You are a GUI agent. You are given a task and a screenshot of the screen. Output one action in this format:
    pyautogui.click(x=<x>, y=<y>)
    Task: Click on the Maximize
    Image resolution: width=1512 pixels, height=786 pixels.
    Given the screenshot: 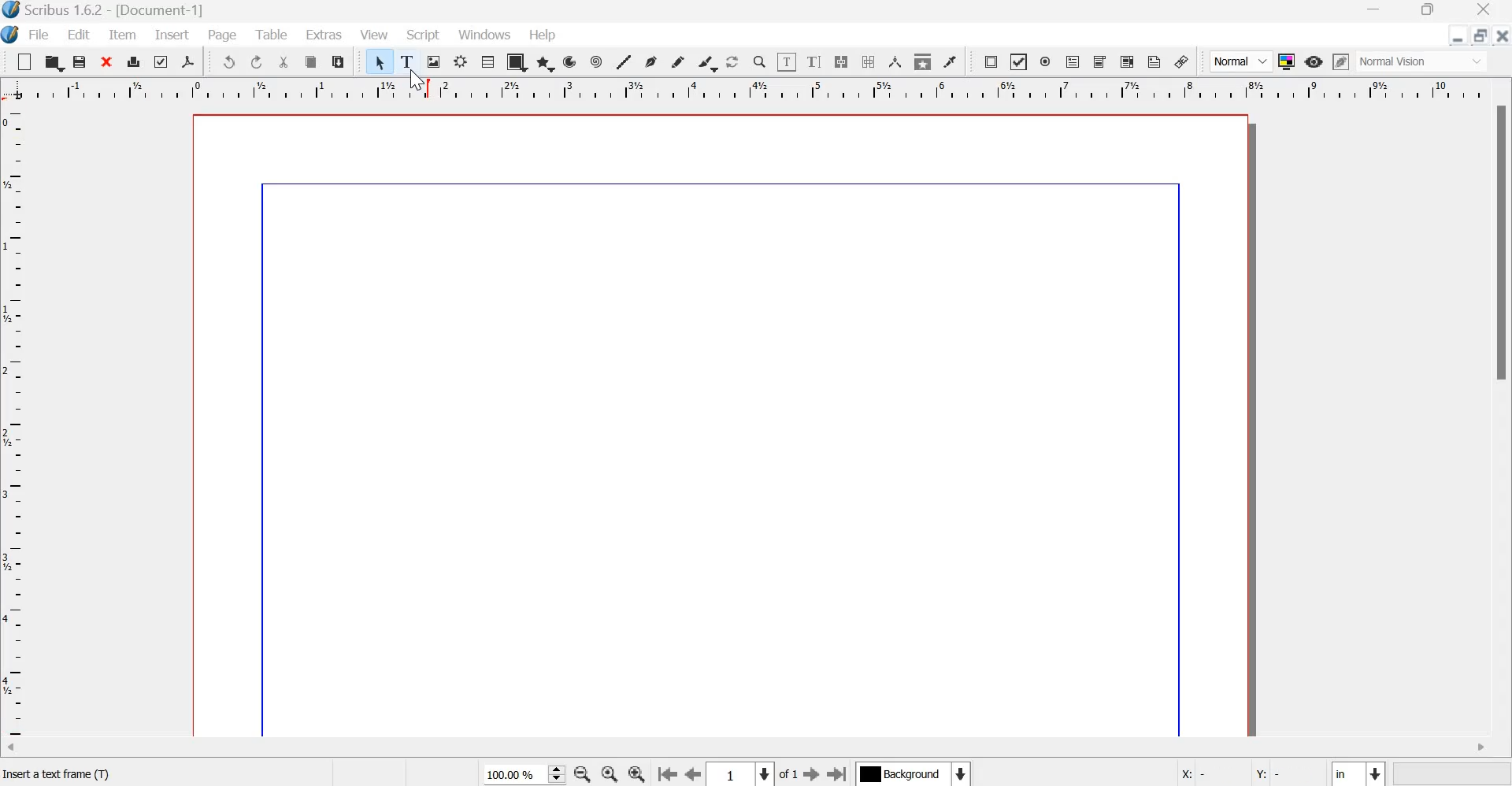 What is the action you would take?
    pyautogui.click(x=1422, y=12)
    